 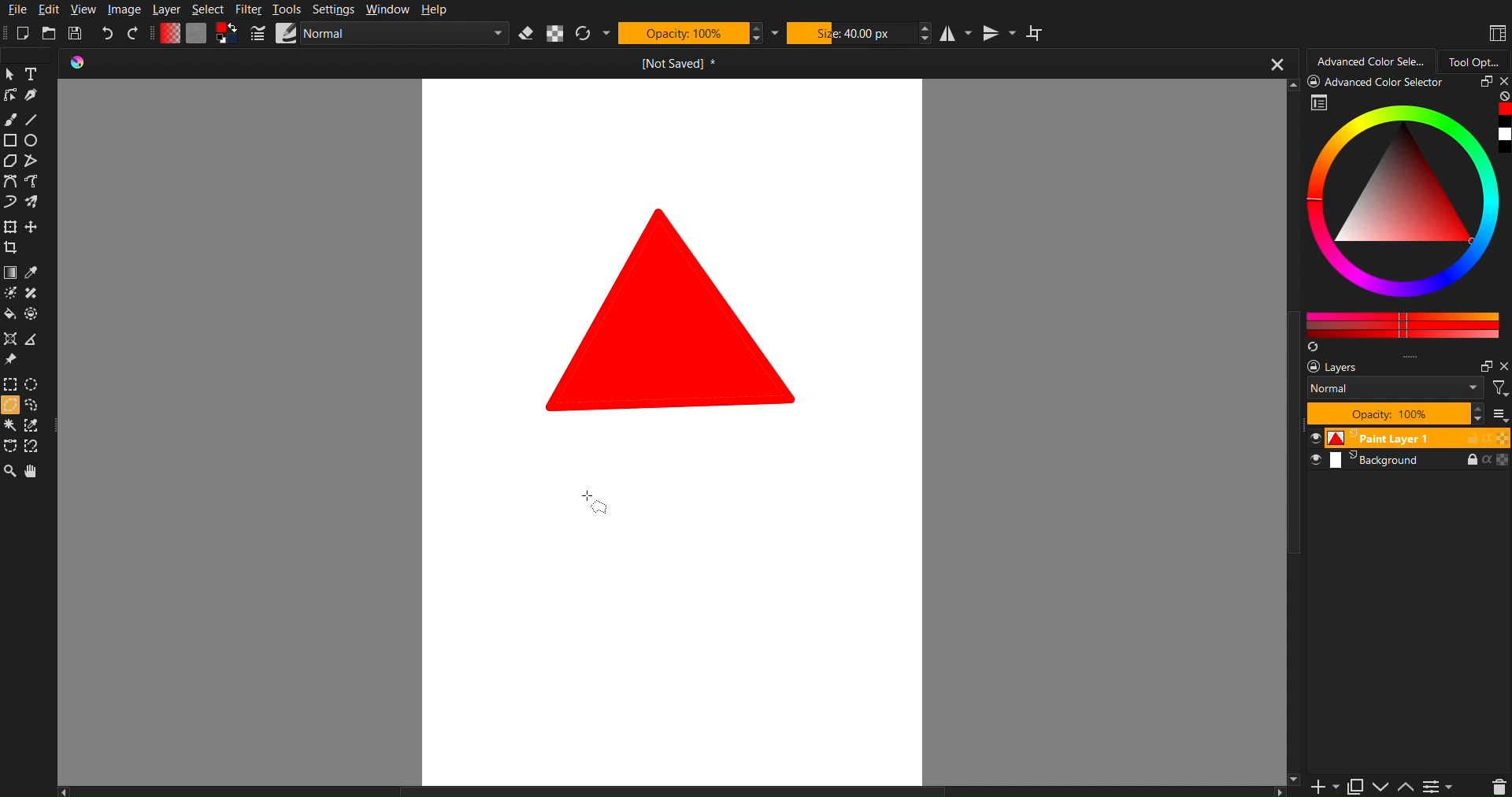 I want to click on Selection Square , so click(x=34, y=383).